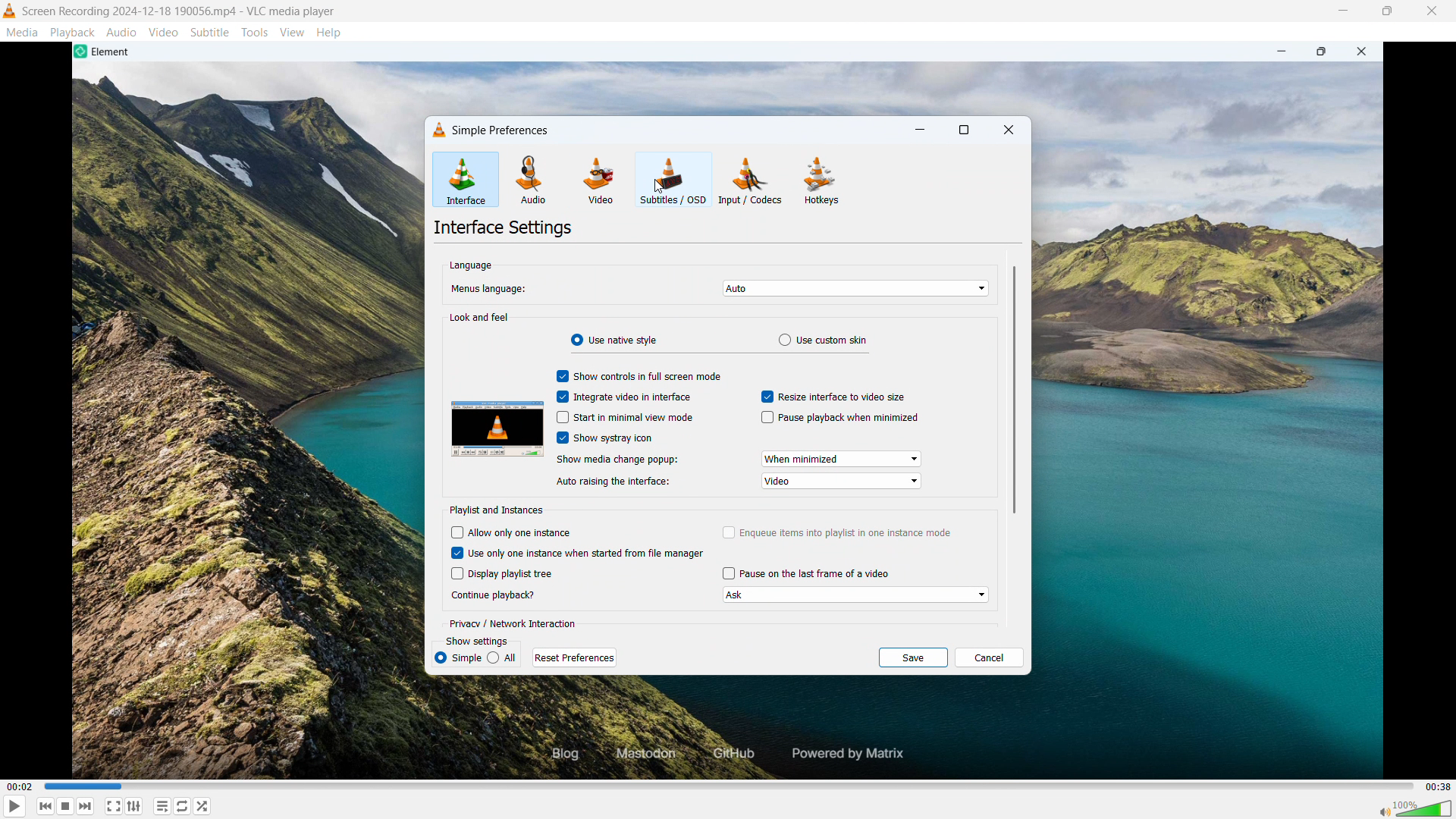 This screenshot has height=819, width=1456. I want to click on checkbox, so click(726, 534).